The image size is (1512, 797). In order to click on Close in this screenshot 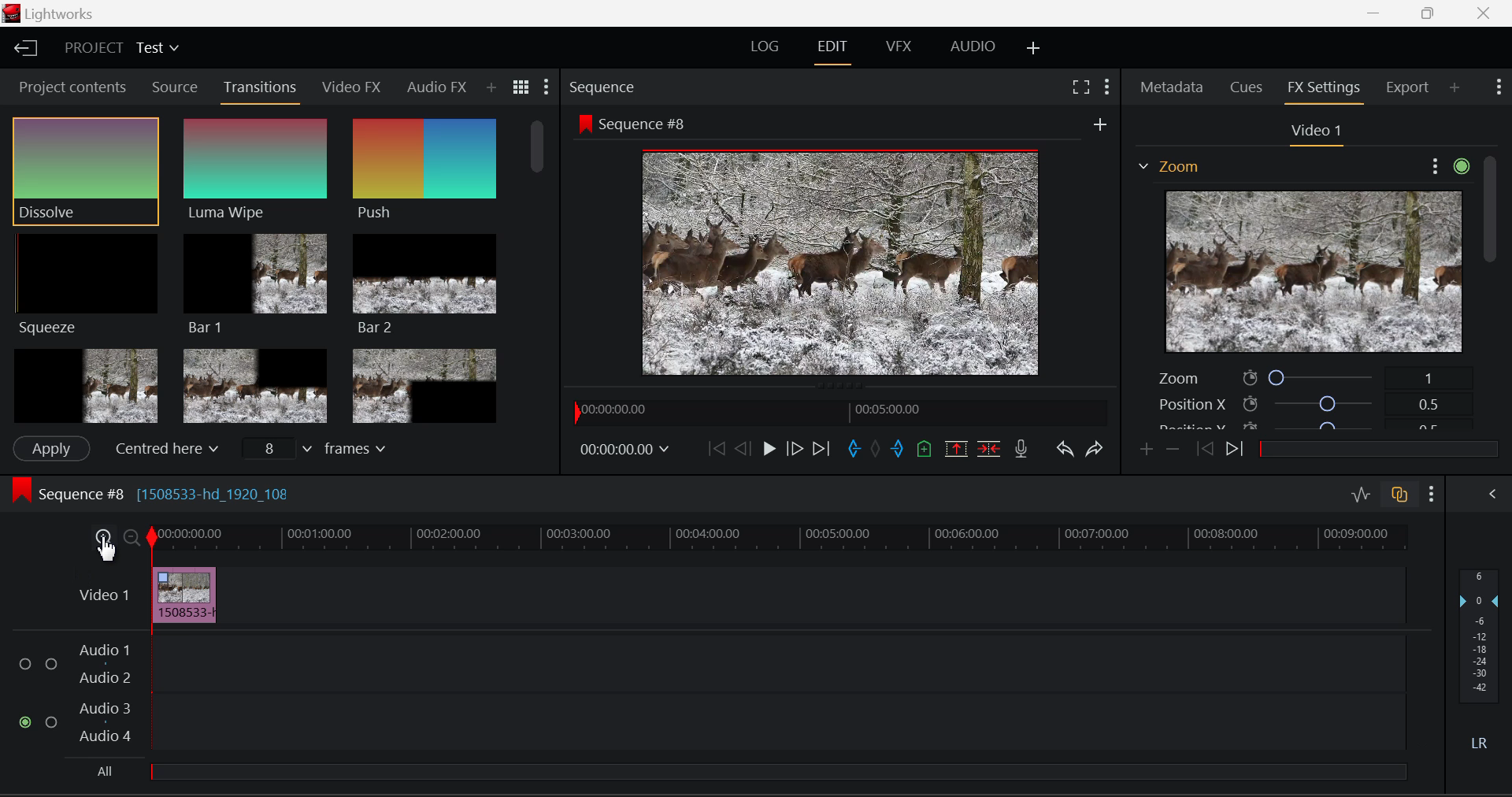, I will do `click(1484, 13)`.